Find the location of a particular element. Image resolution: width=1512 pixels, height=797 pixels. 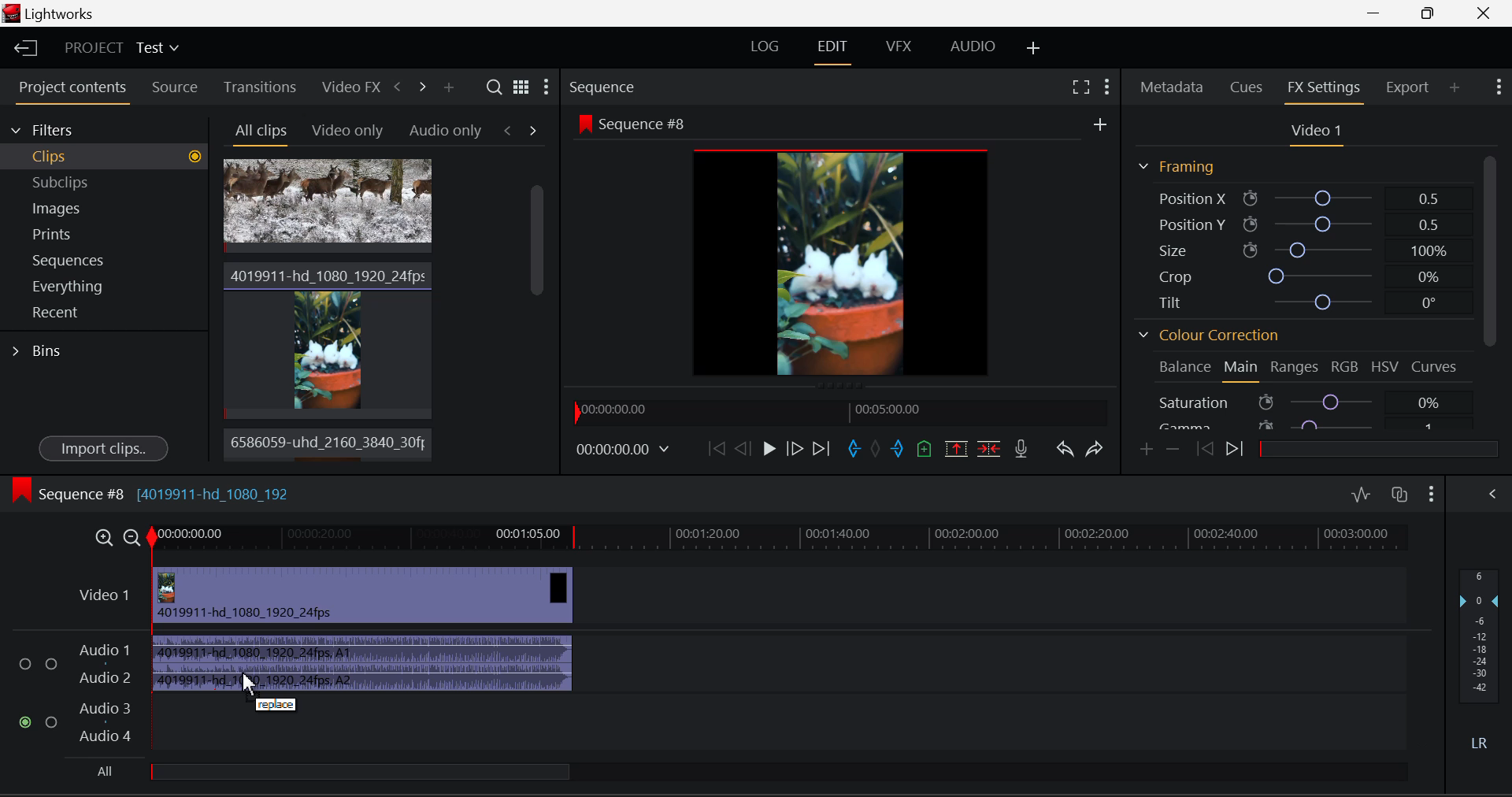

Project contents open is located at coordinates (70, 92).